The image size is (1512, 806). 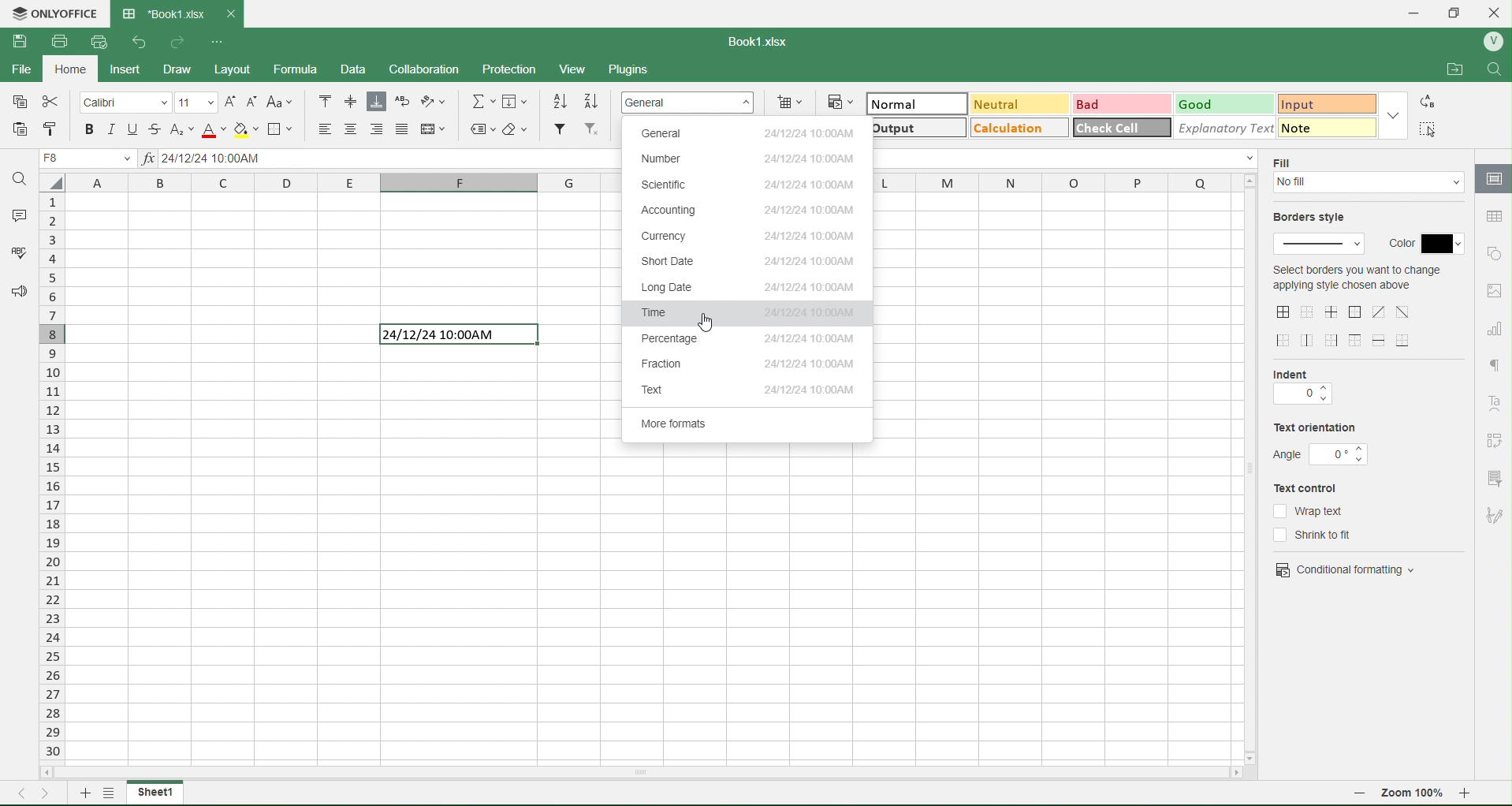 I want to click on Rows Number, so click(x=54, y=491).